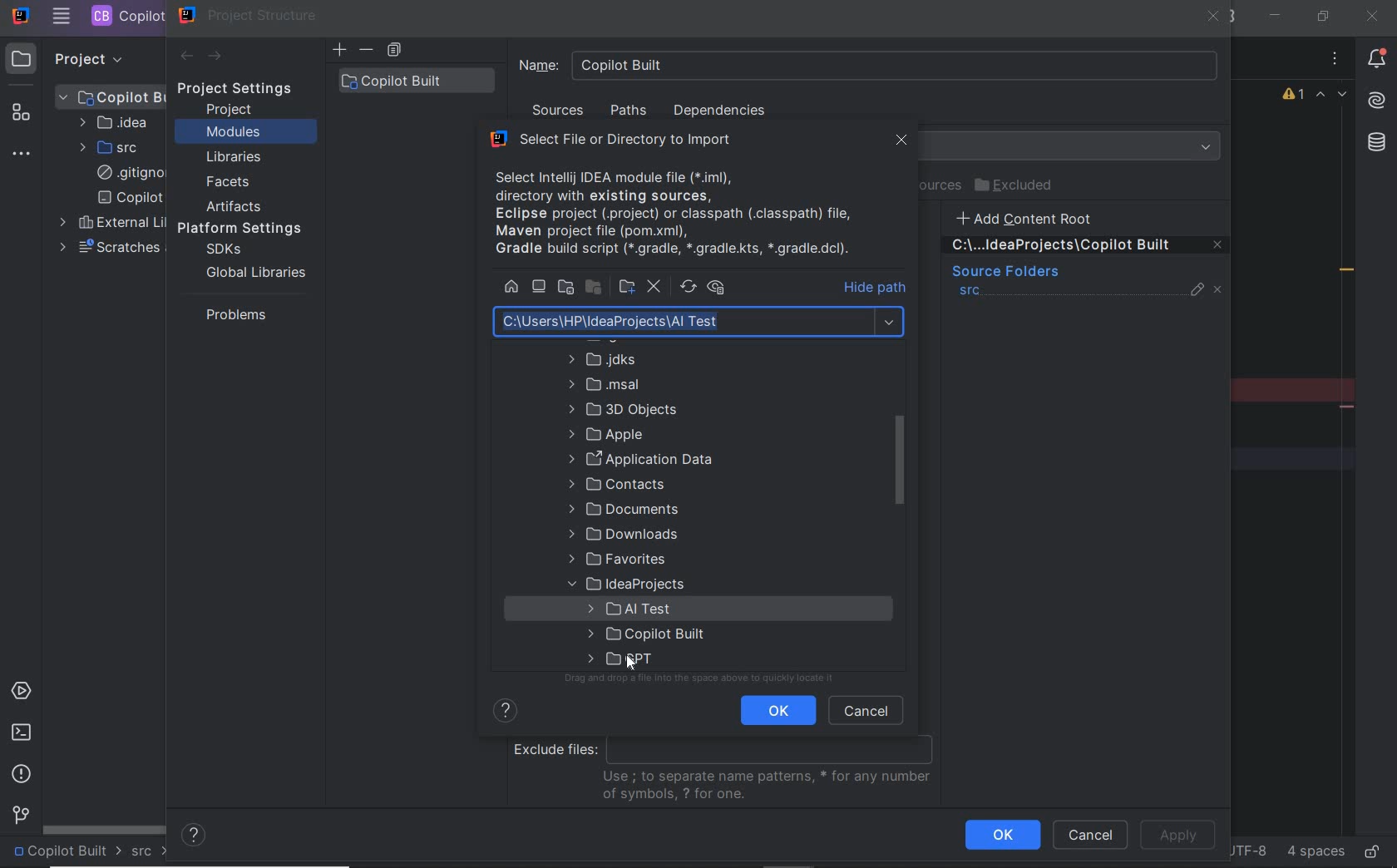  Describe the element at coordinates (1335, 61) in the screenshot. I see `options` at that location.